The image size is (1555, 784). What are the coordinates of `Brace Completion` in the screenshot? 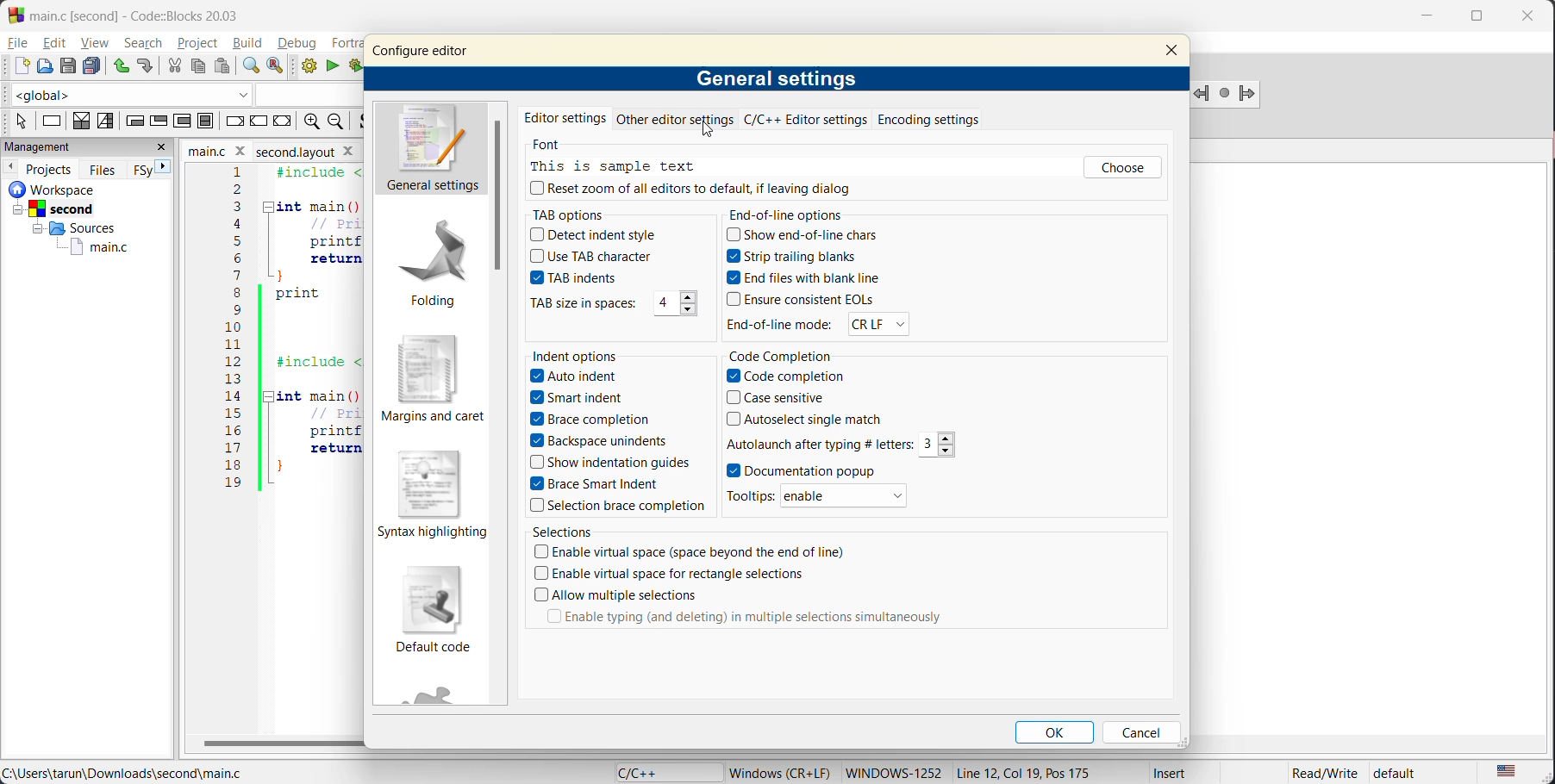 It's located at (593, 419).